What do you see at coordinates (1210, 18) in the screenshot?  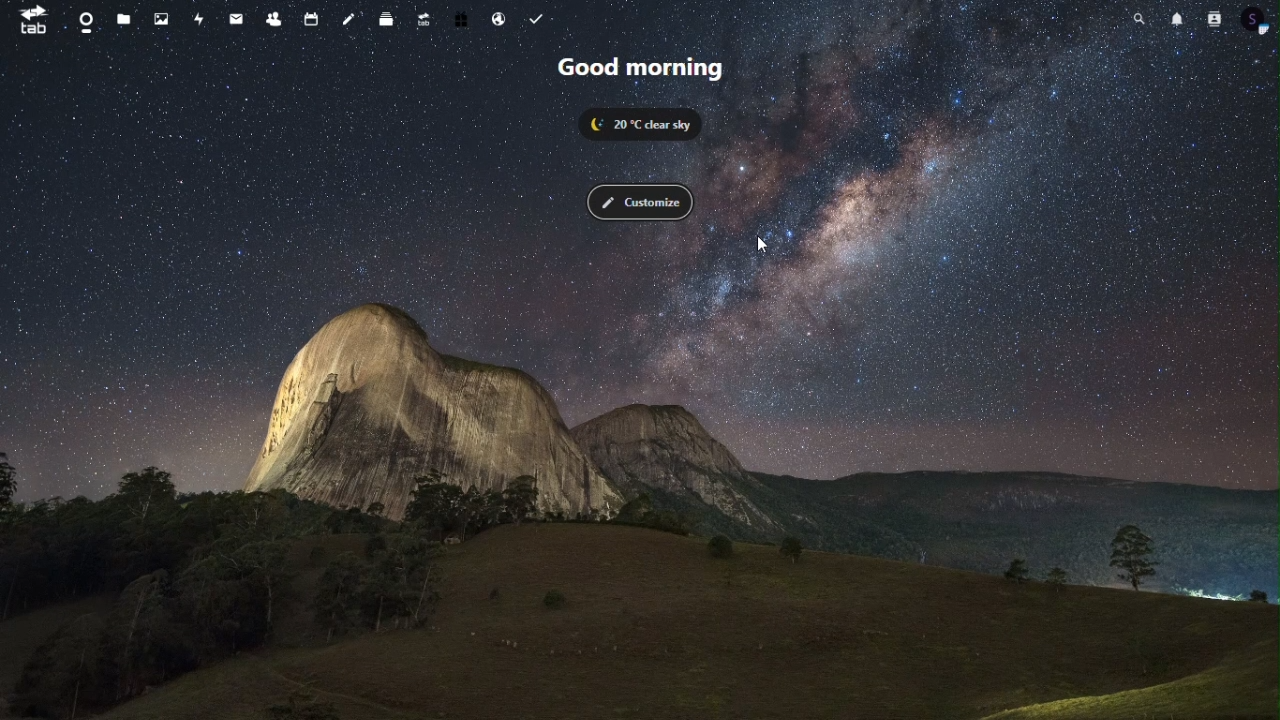 I see `contacts` at bounding box center [1210, 18].